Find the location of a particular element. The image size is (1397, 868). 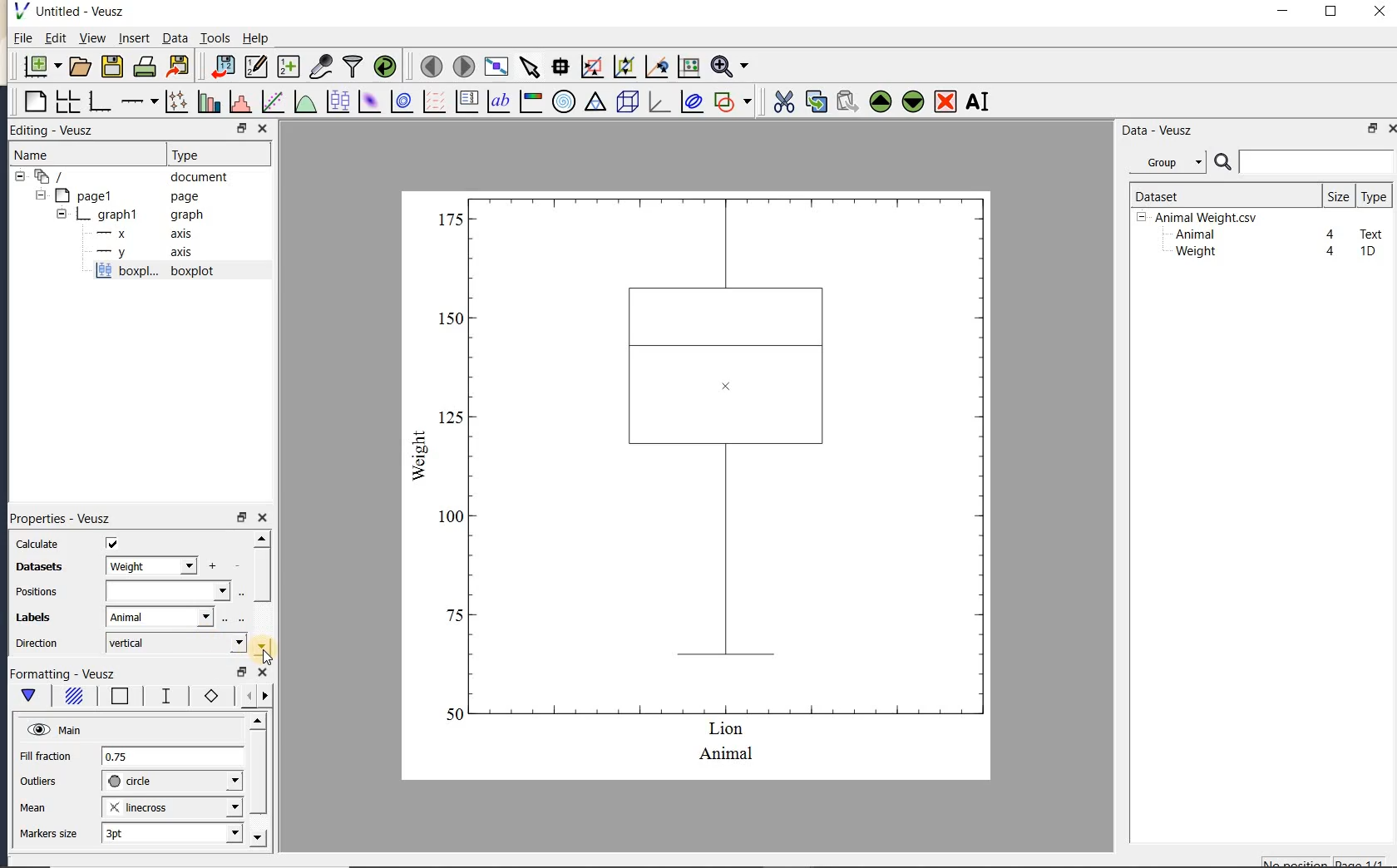

click to zoom out of graph axes is located at coordinates (625, 66).